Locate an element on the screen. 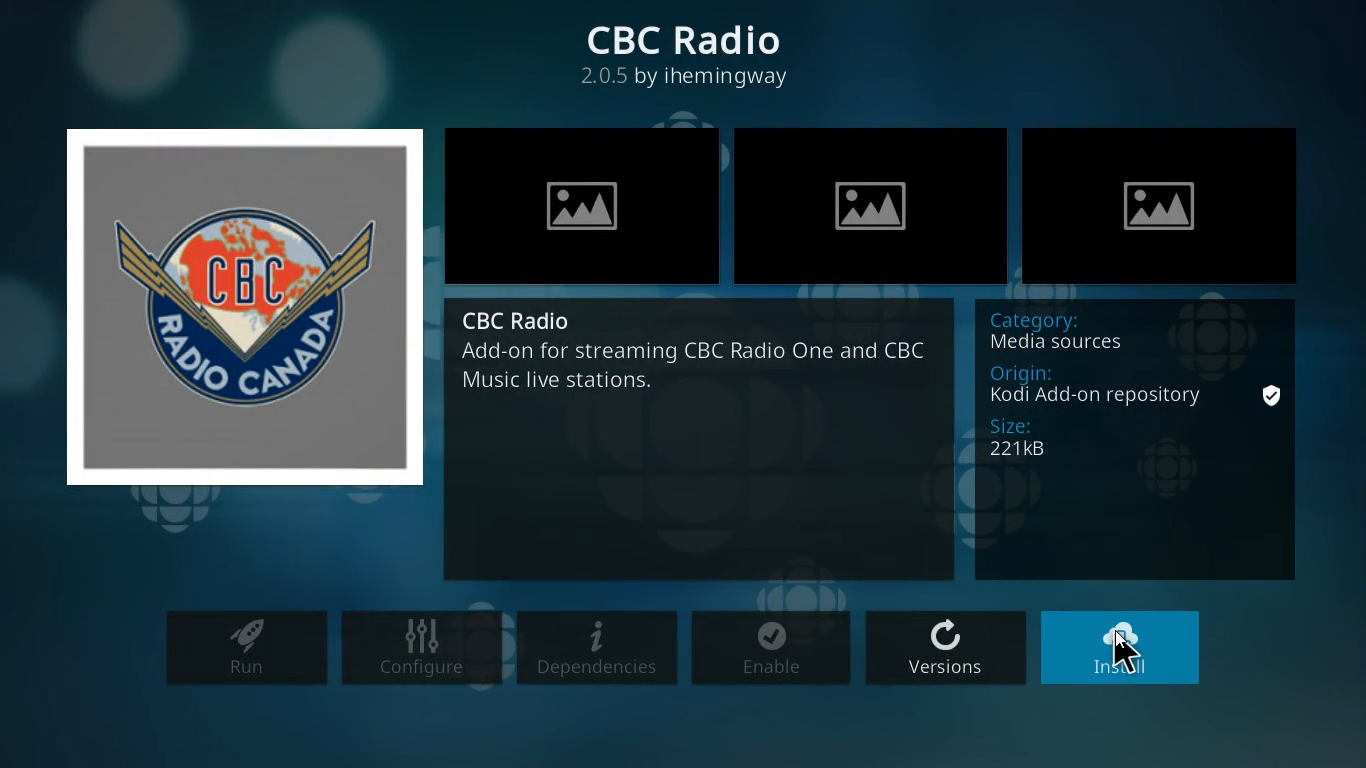 The width and height of the screenshot is (1366, 768). Cursor is located at coordinates (1129, 648).